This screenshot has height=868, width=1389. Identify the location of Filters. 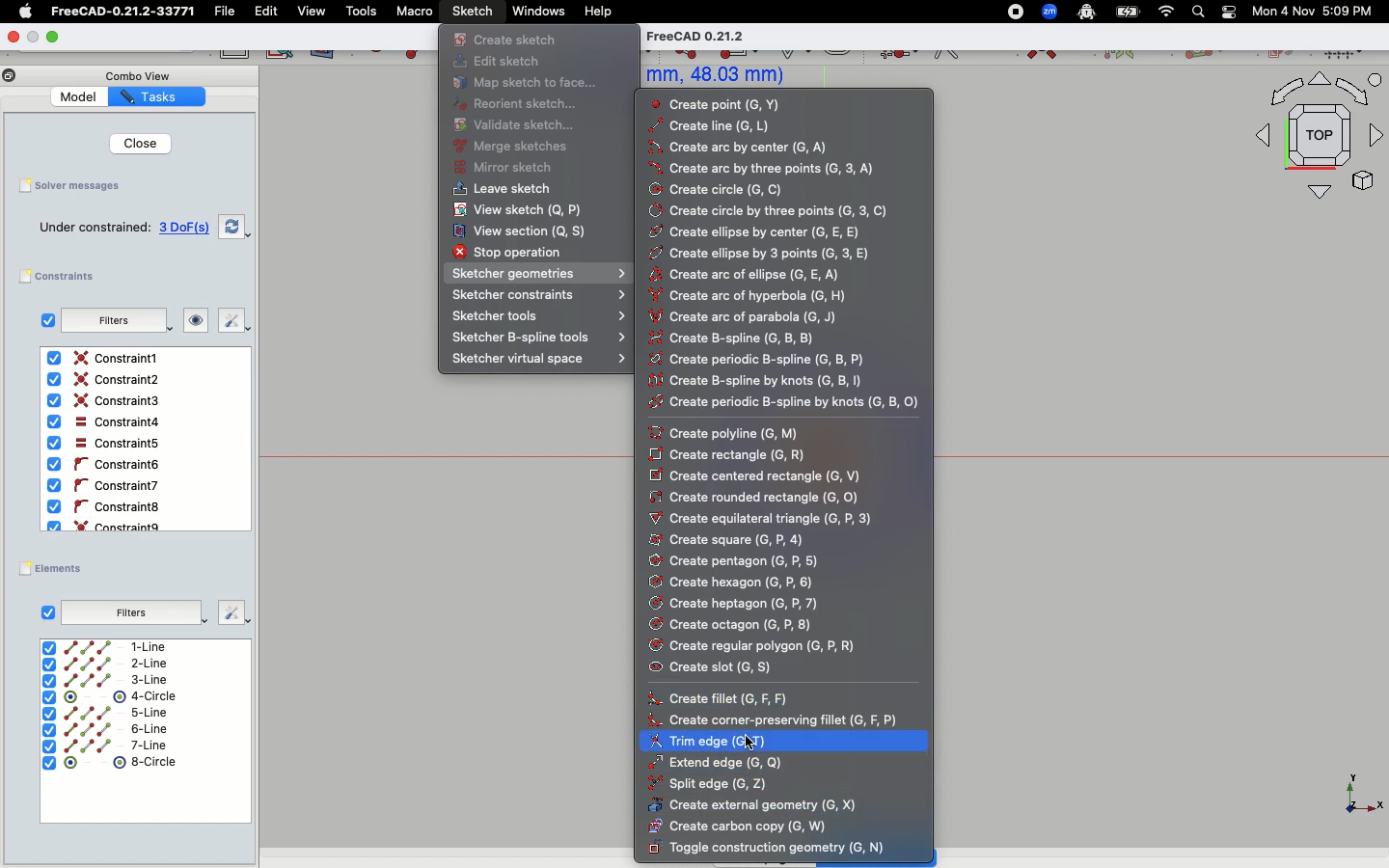
(133, 610).